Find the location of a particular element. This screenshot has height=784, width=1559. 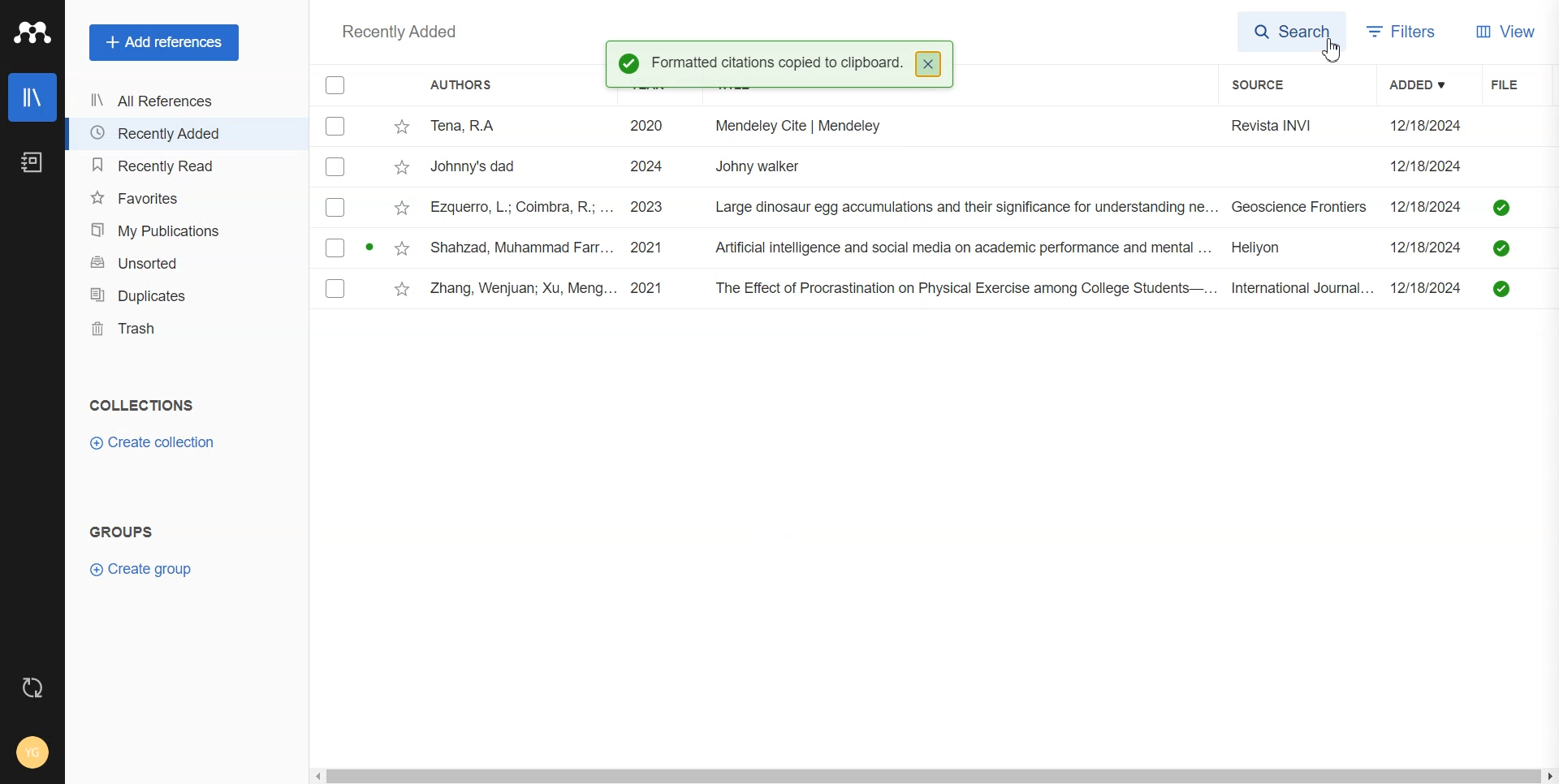

Star is located at coordinates (402, 207).